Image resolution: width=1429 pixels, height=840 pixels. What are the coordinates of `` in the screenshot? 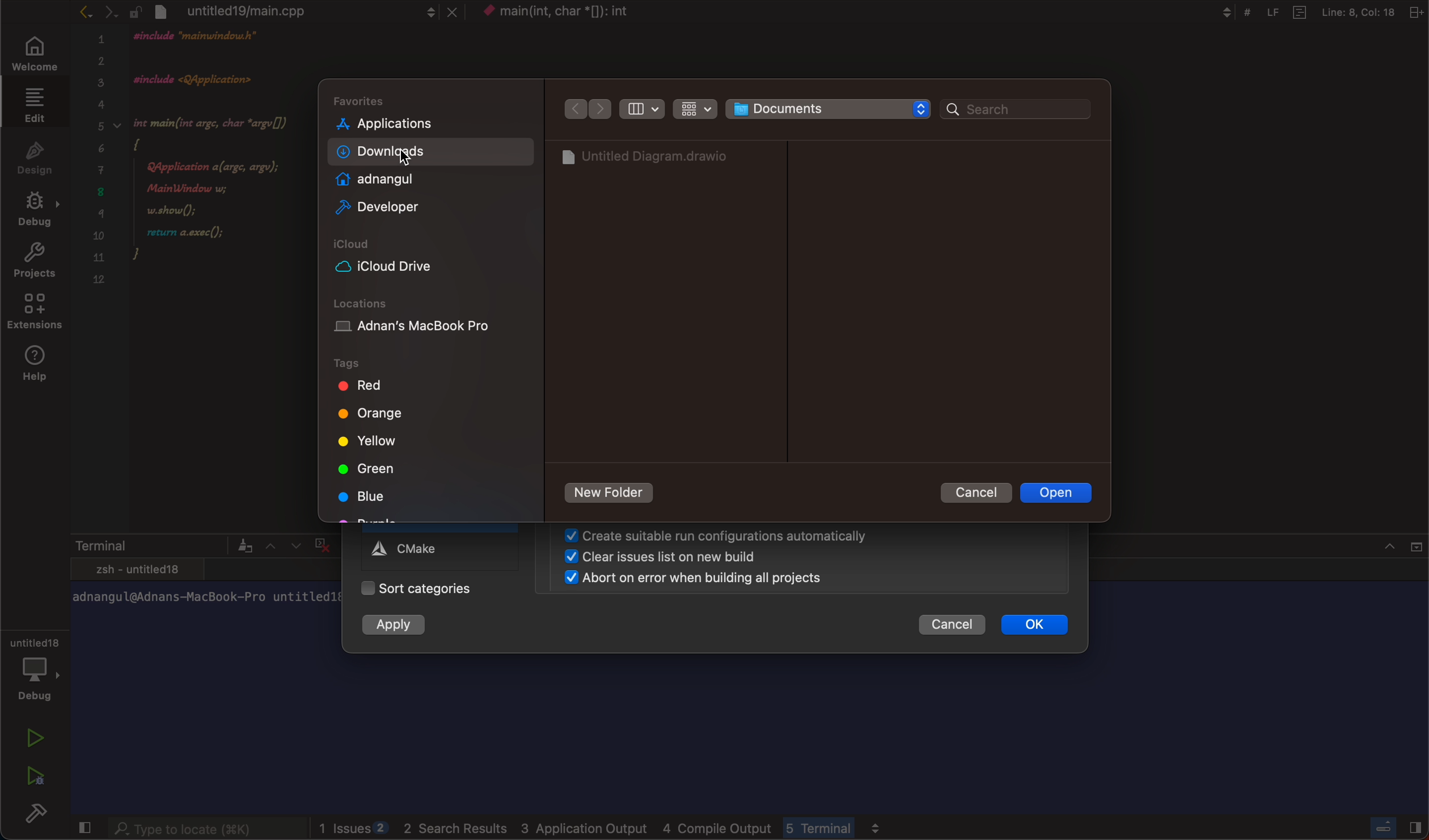 It's located at (1313, 11).